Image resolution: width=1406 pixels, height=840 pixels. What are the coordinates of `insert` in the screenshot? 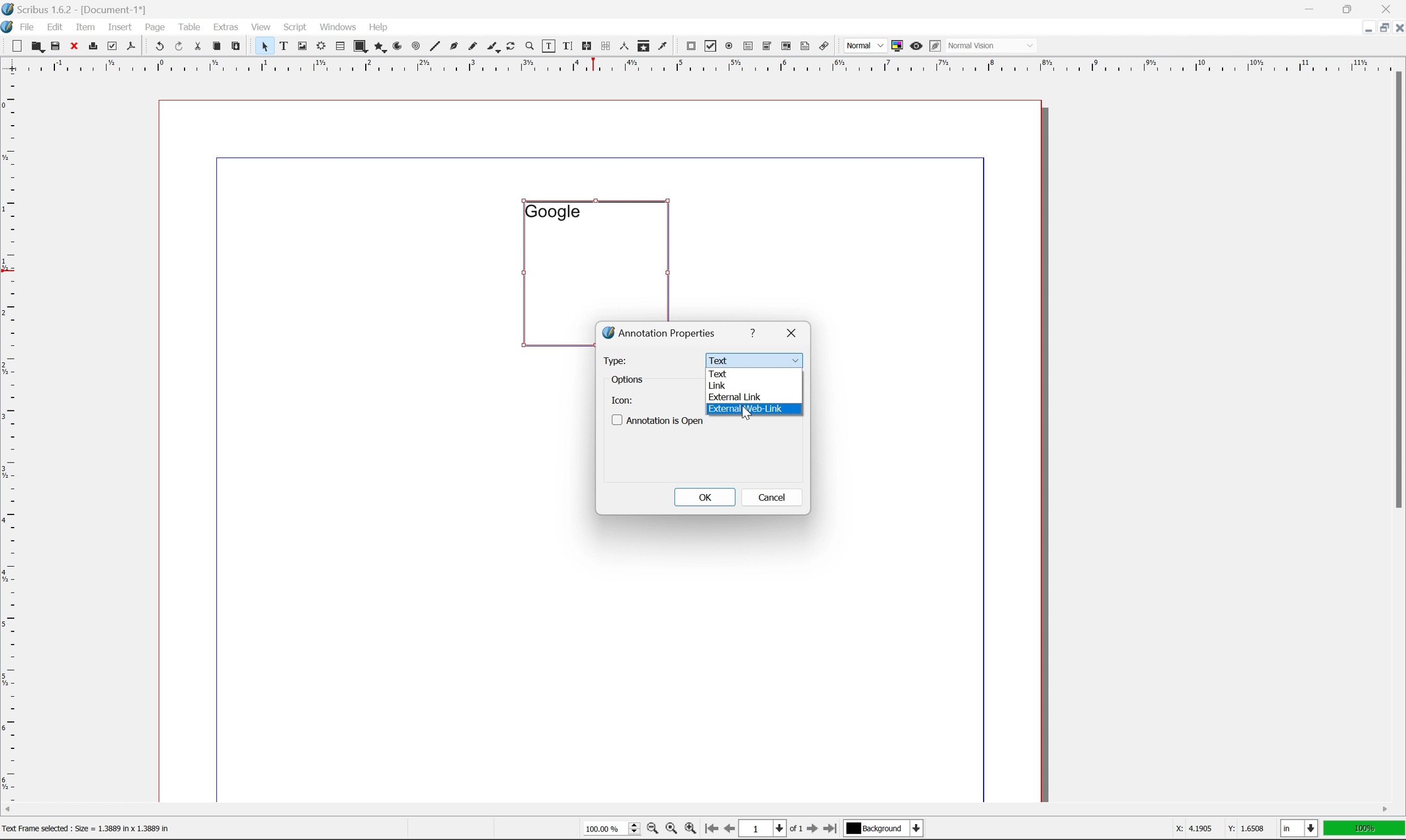 It's located at (120, 26).